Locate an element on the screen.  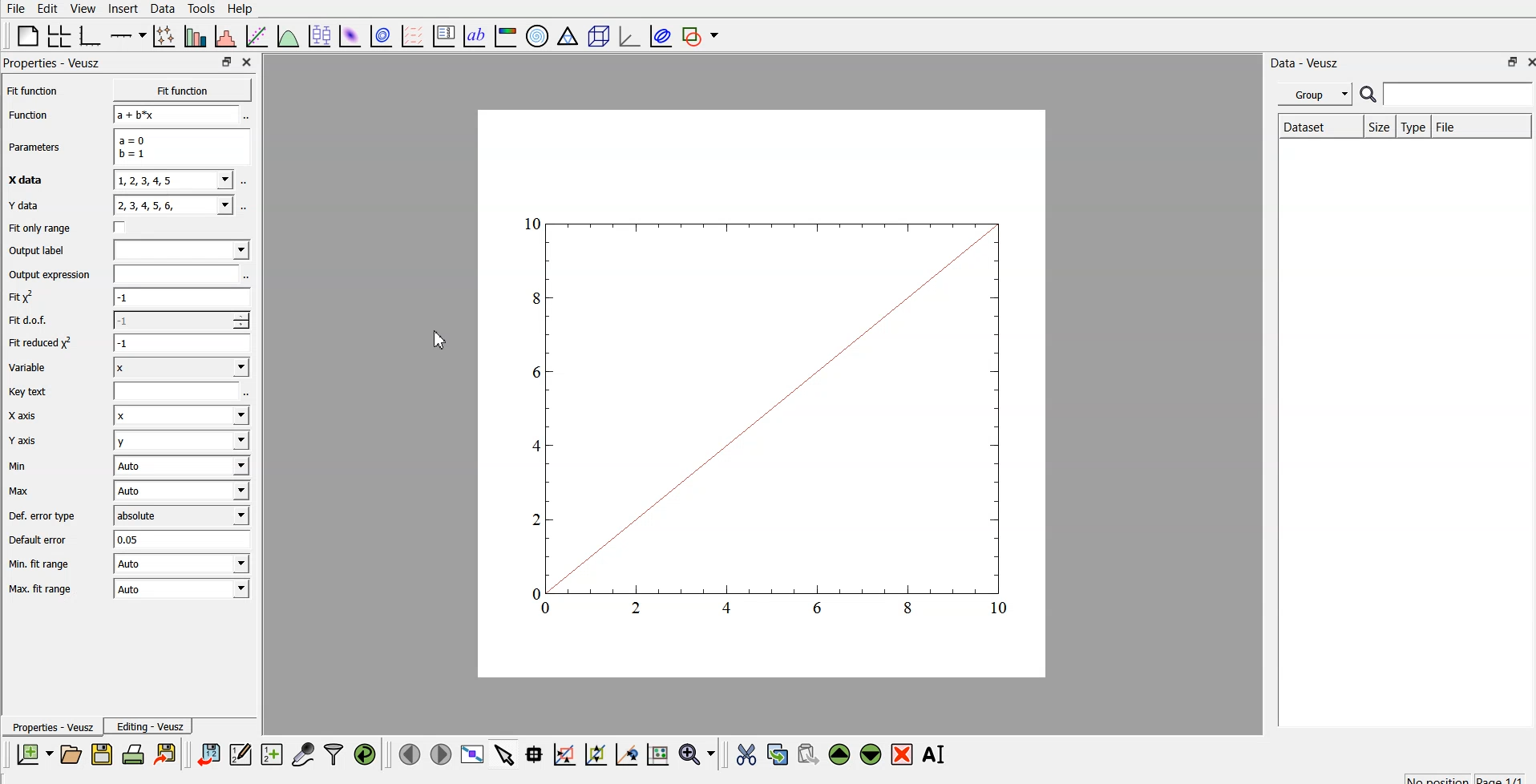
X axis is located at coordinates (38, 417).